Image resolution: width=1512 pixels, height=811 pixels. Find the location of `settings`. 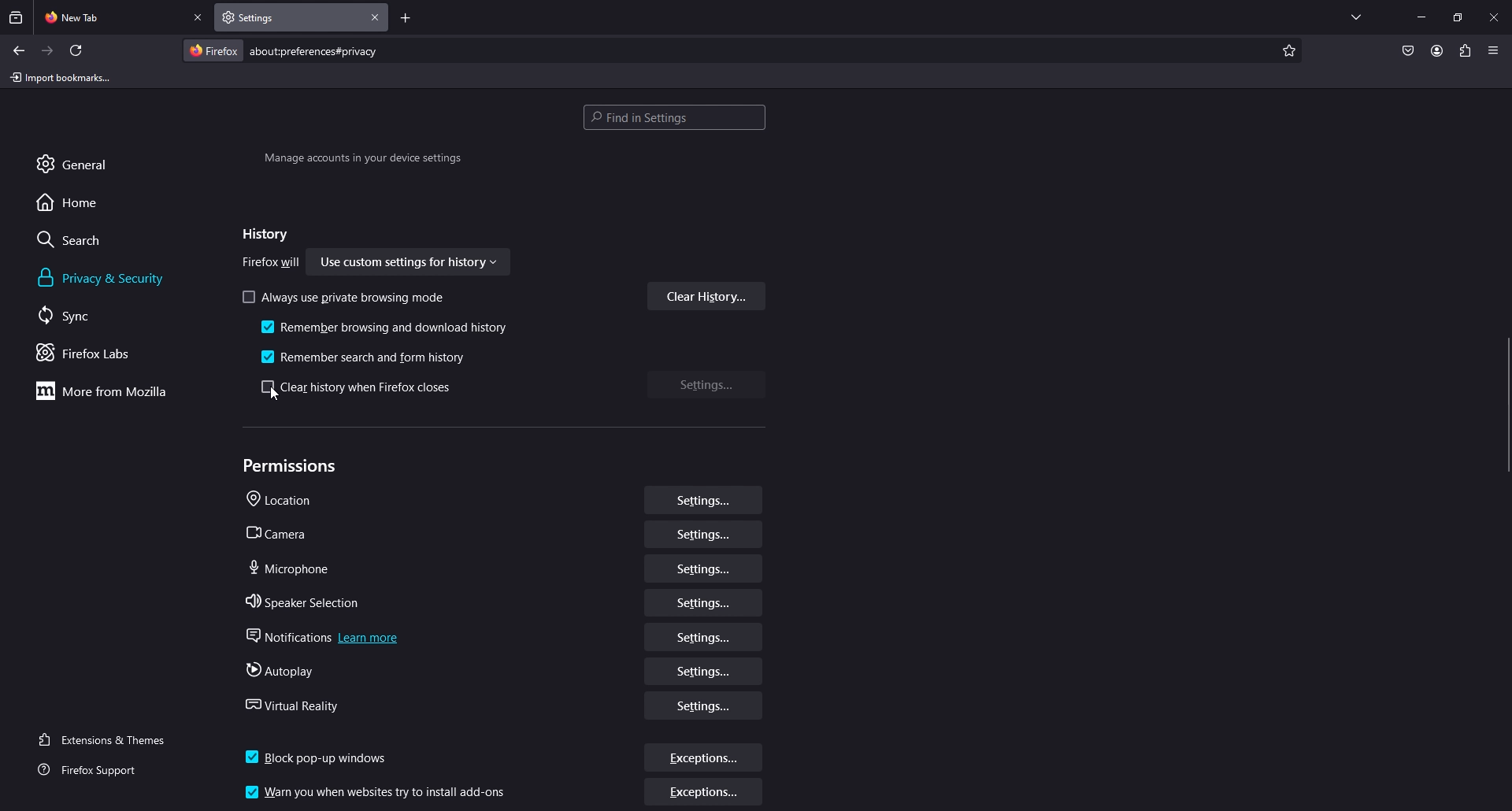

settings is located at coordinates (705, 604).